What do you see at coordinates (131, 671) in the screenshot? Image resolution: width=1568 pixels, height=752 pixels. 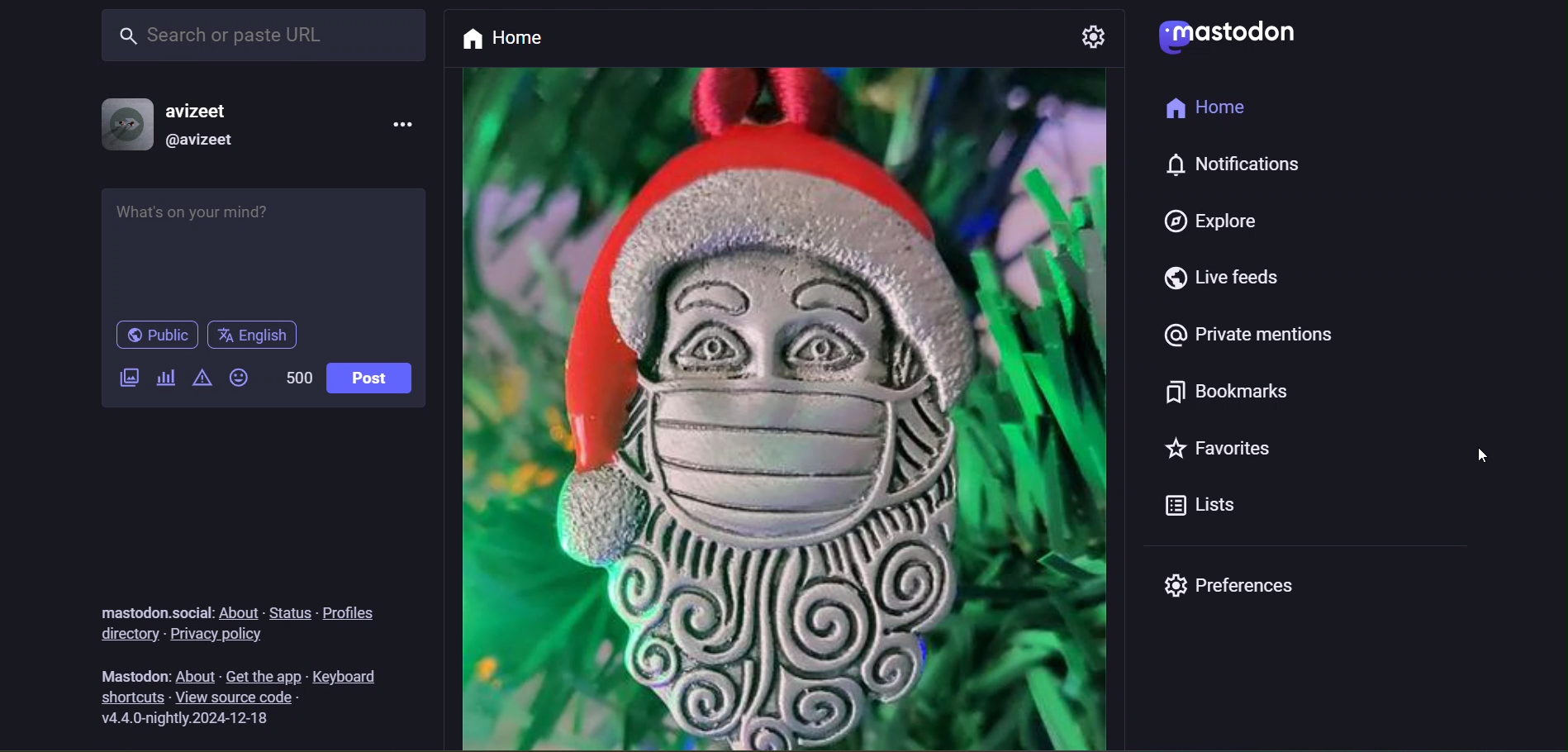 I see `text` at bounding box center [131, 671].